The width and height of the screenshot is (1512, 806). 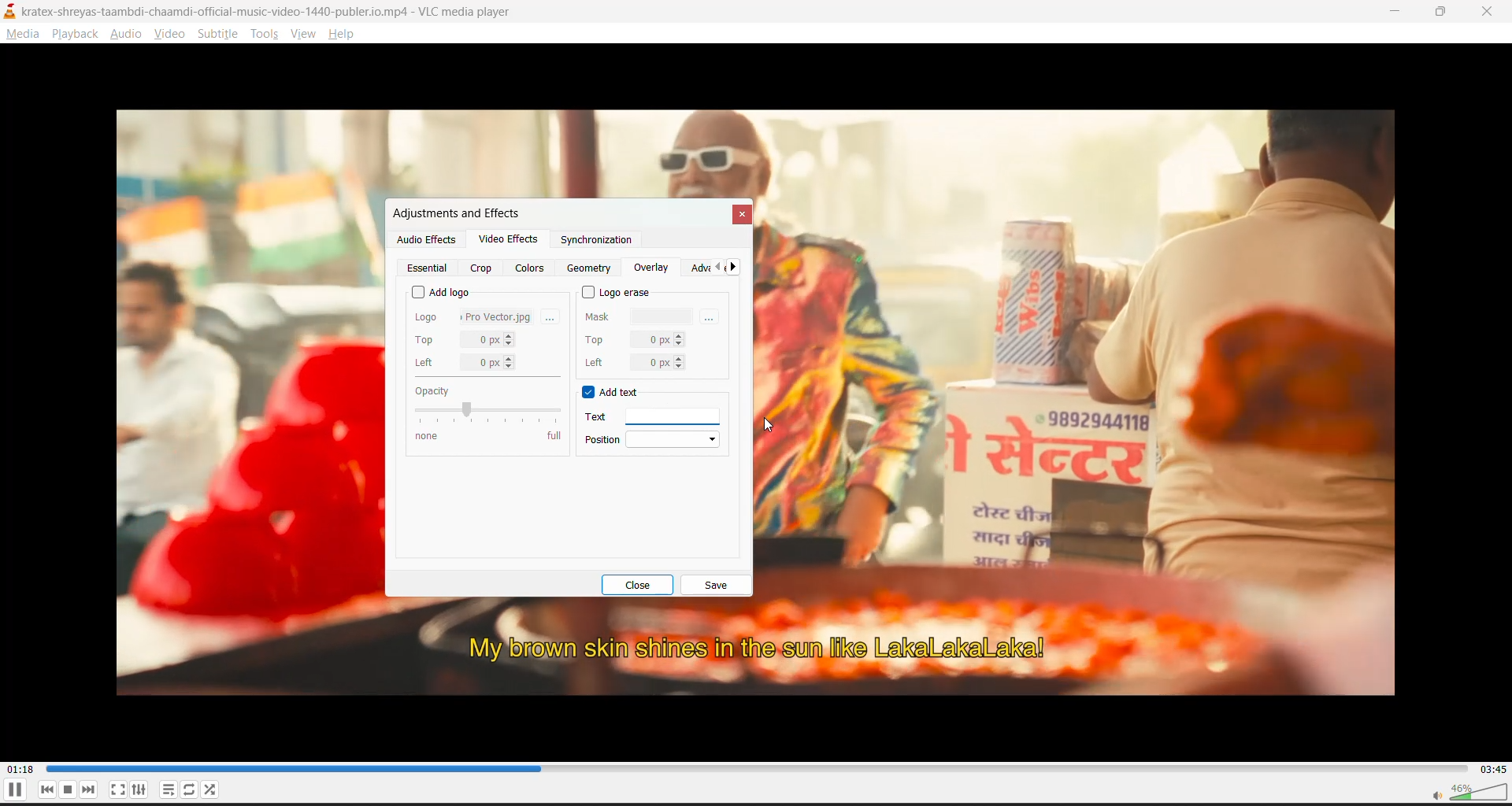 I want to click on close, so click(x=644, y=585).